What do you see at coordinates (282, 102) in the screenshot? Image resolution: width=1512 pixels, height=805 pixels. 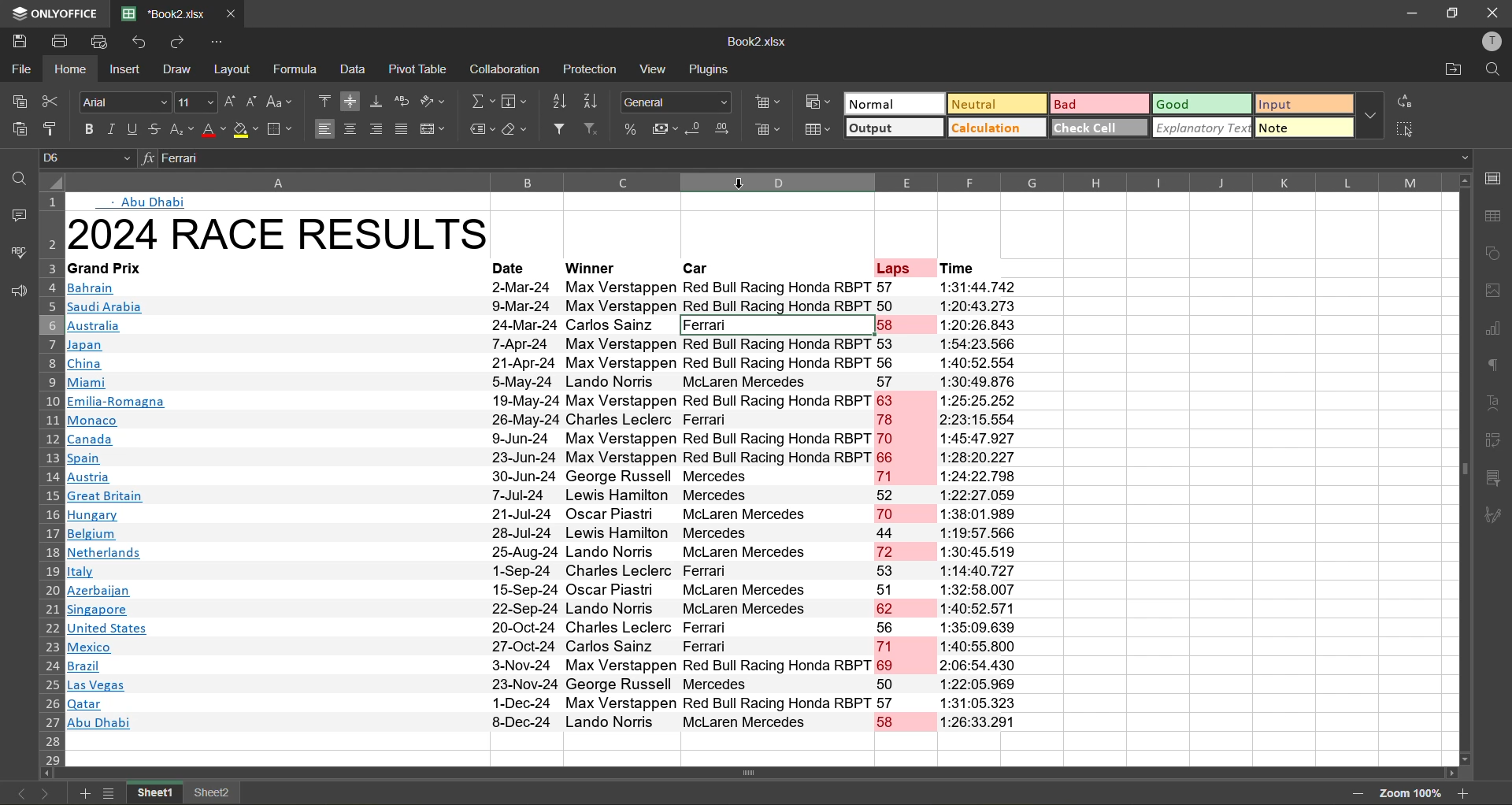 I see `change case` at bounding box center [282, 102].